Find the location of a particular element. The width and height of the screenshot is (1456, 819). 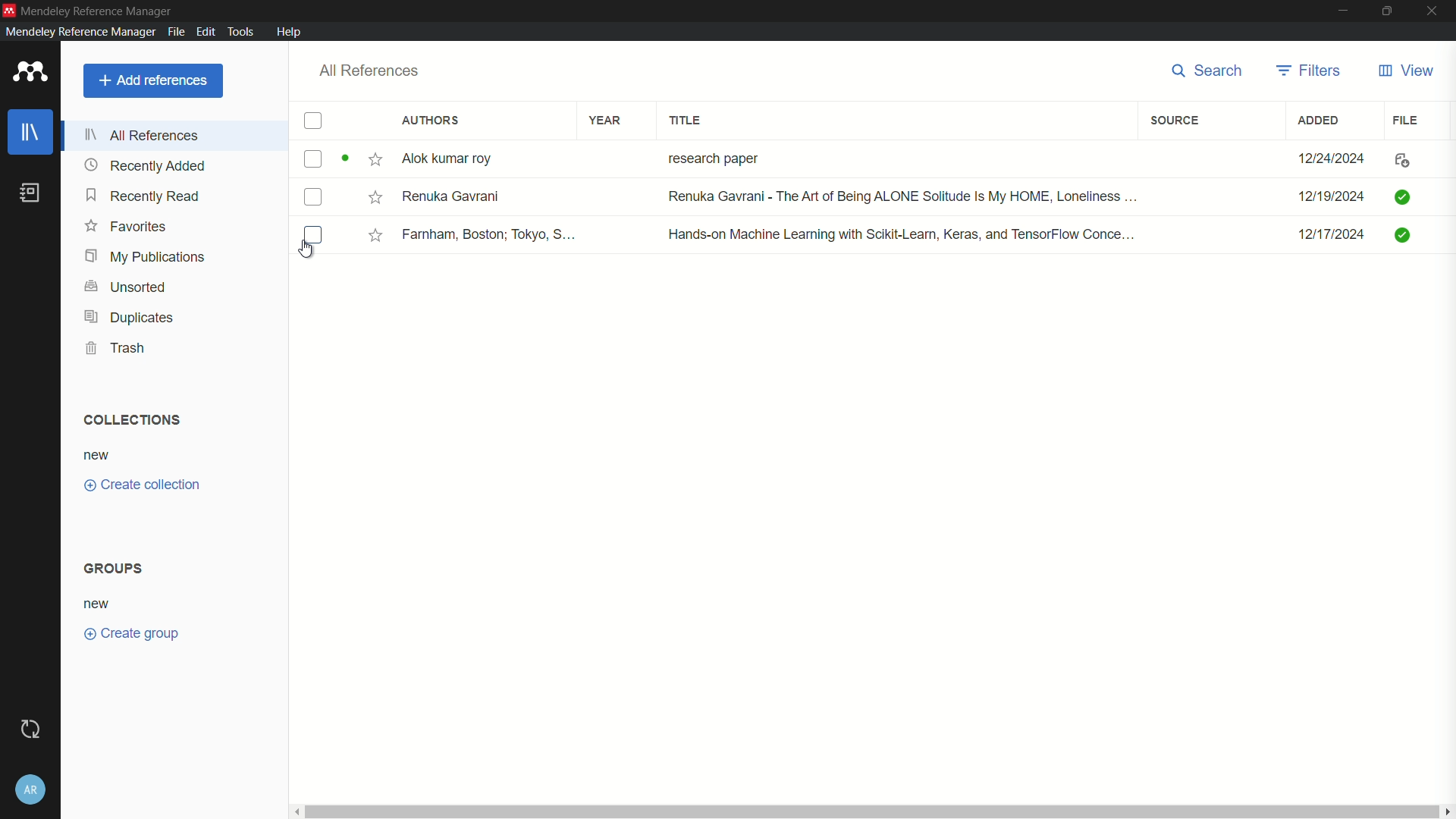

file is located at coordinates (1407, 120).